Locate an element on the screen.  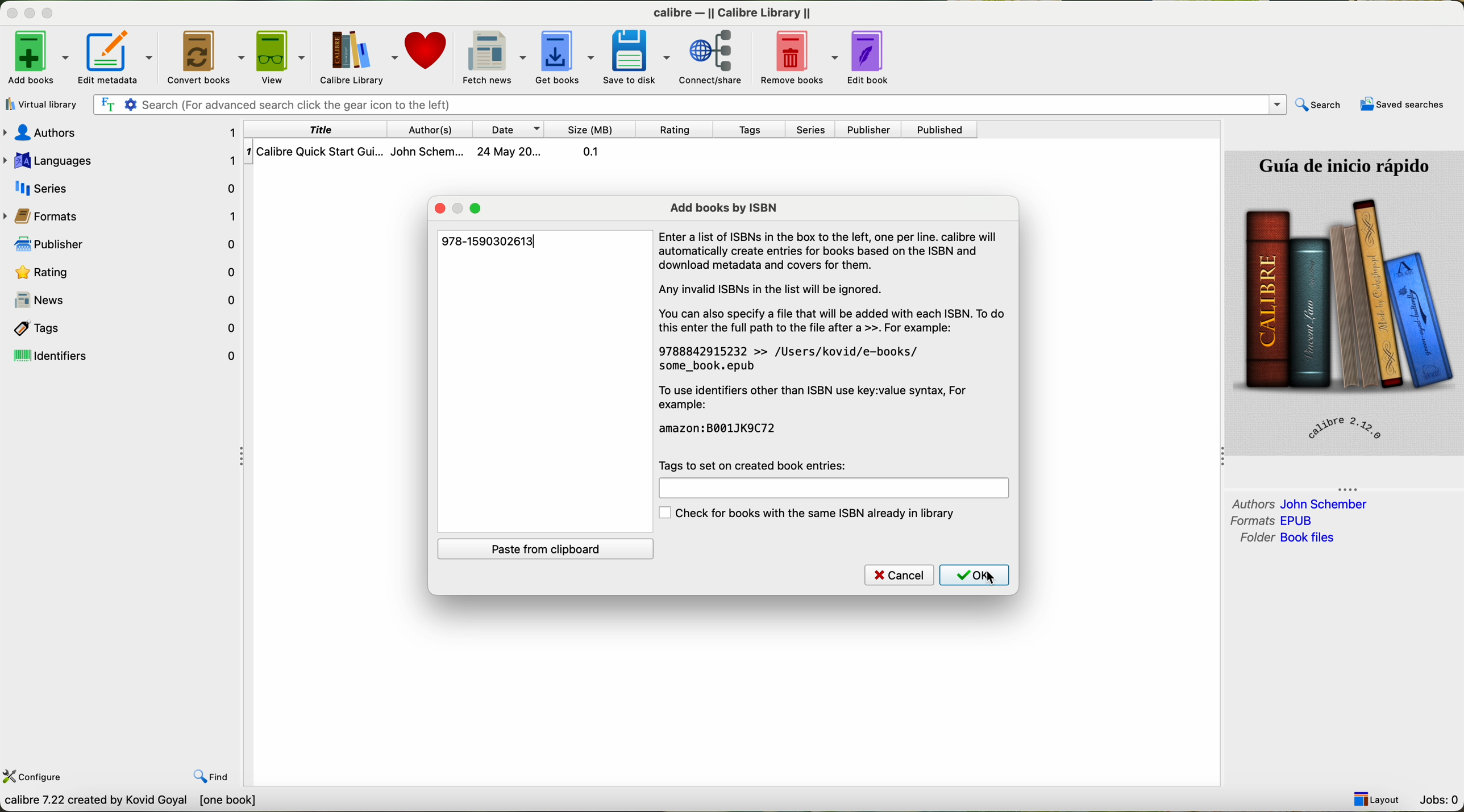
978-1690302613 is located at coordinates (504, 242).